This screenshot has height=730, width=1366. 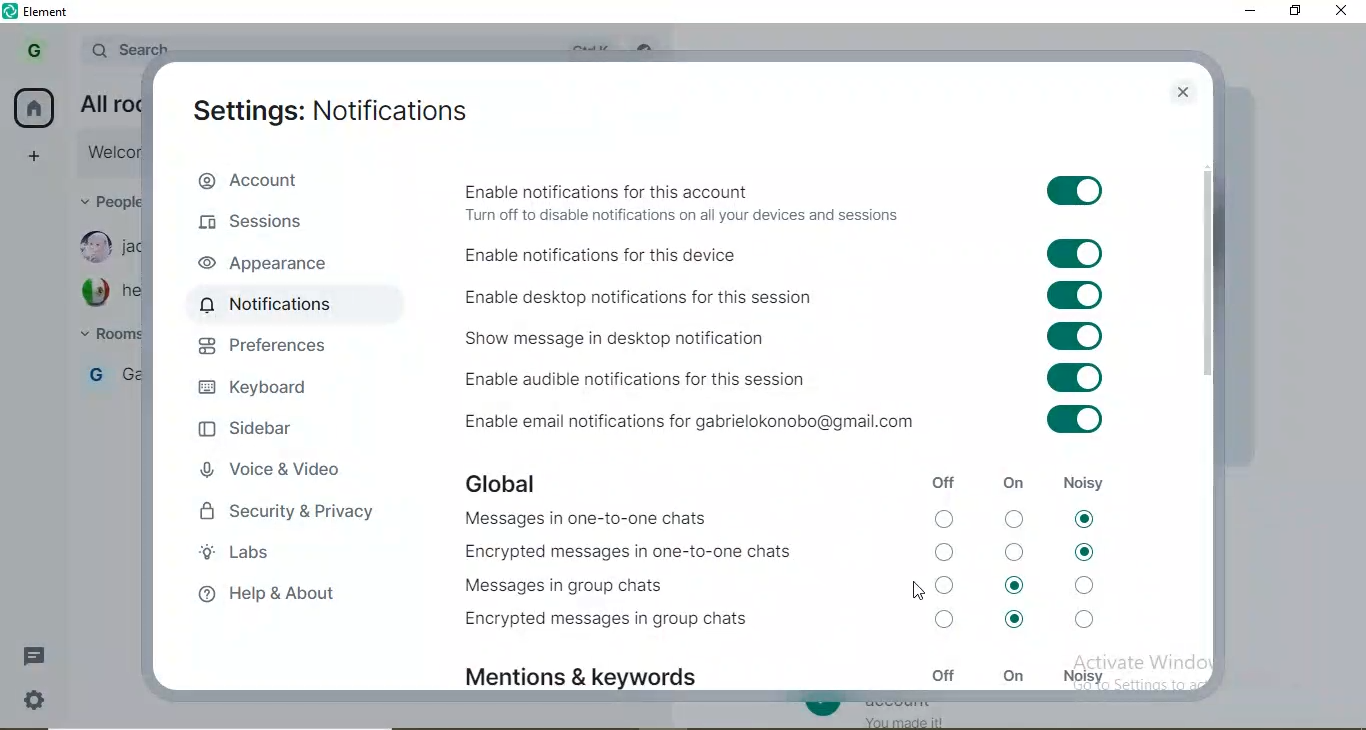 What do you see at coordinates (724, 201) in the screenshot?
I see `enable notifications` at bounding box center [724, 201].